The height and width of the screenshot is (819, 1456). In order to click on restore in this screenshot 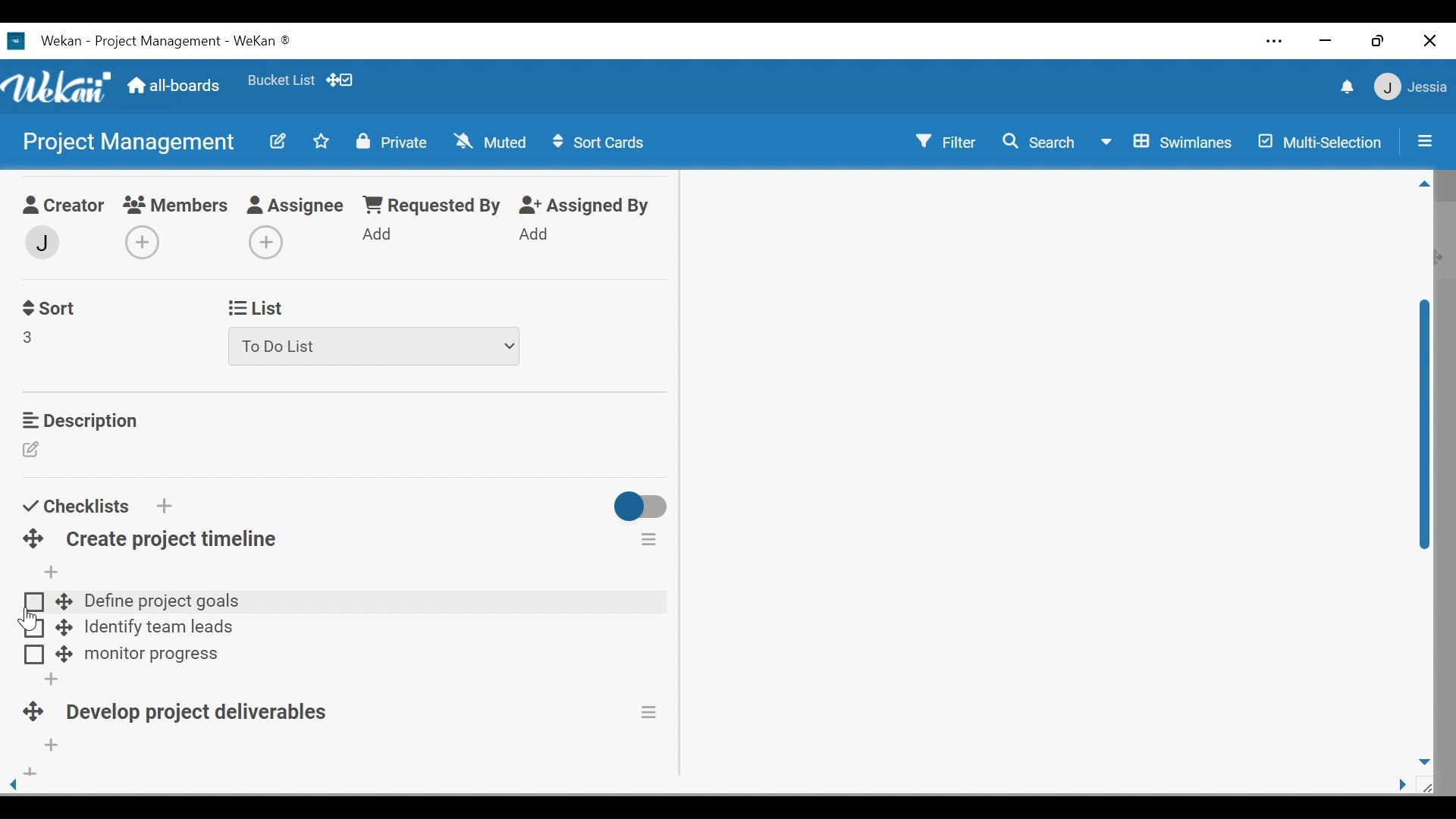, I will do `click(1378, 42)`.